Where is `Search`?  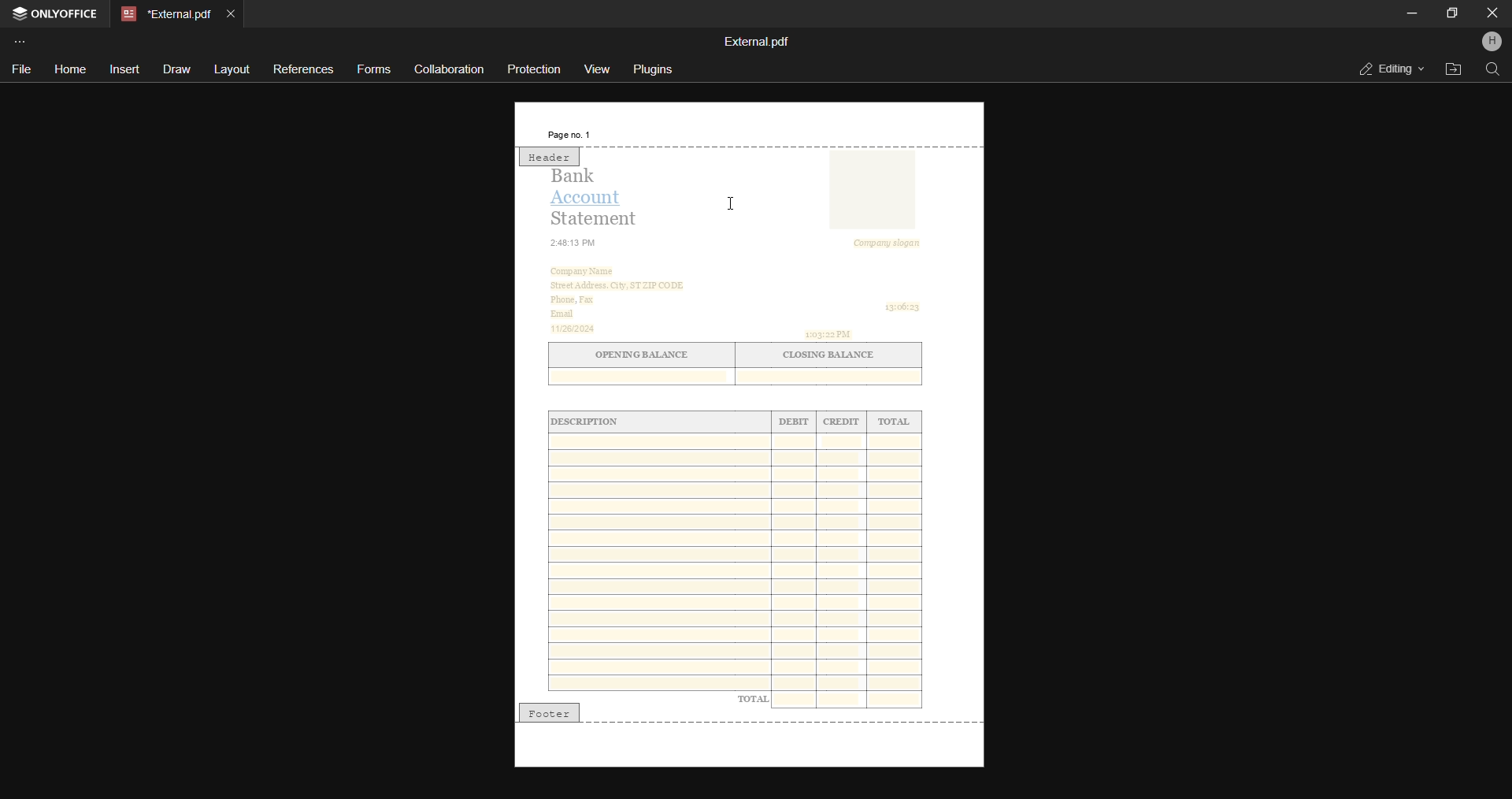
Search is located at coordinates (1492, 69).